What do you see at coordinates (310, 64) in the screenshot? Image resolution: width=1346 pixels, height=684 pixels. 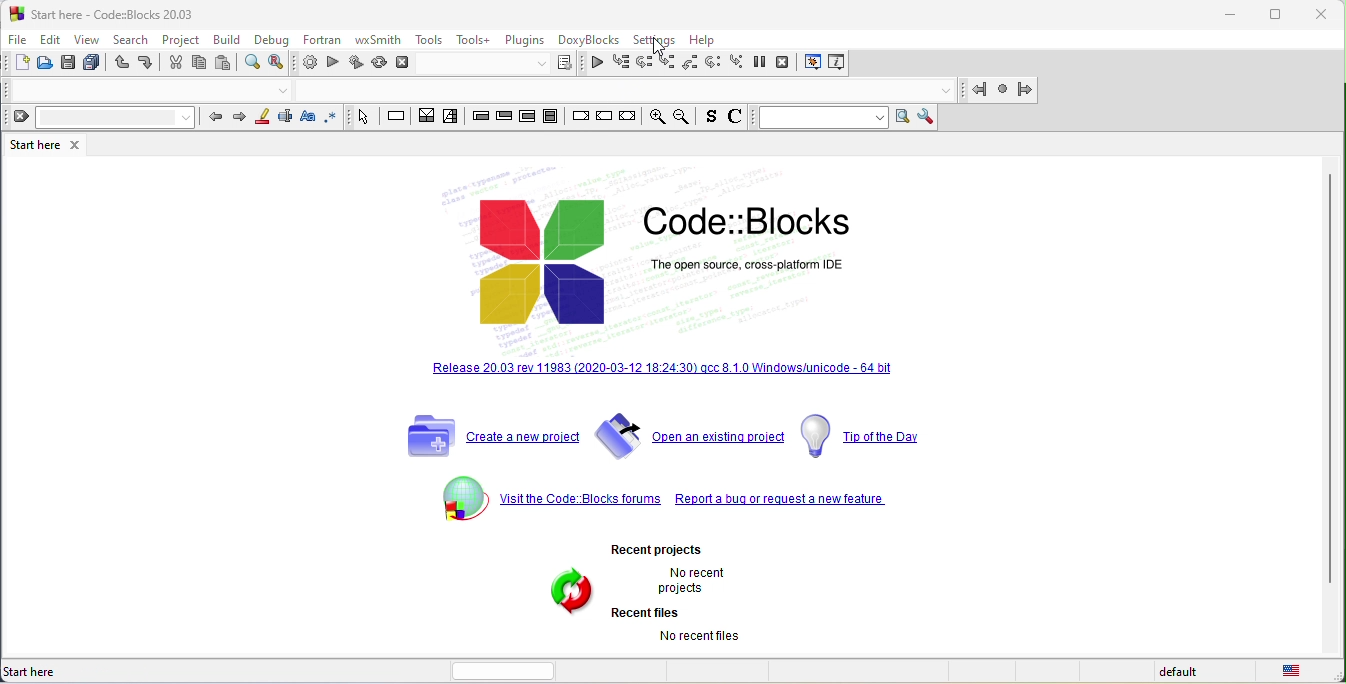 I see `build` at bounding box center [310, 64].